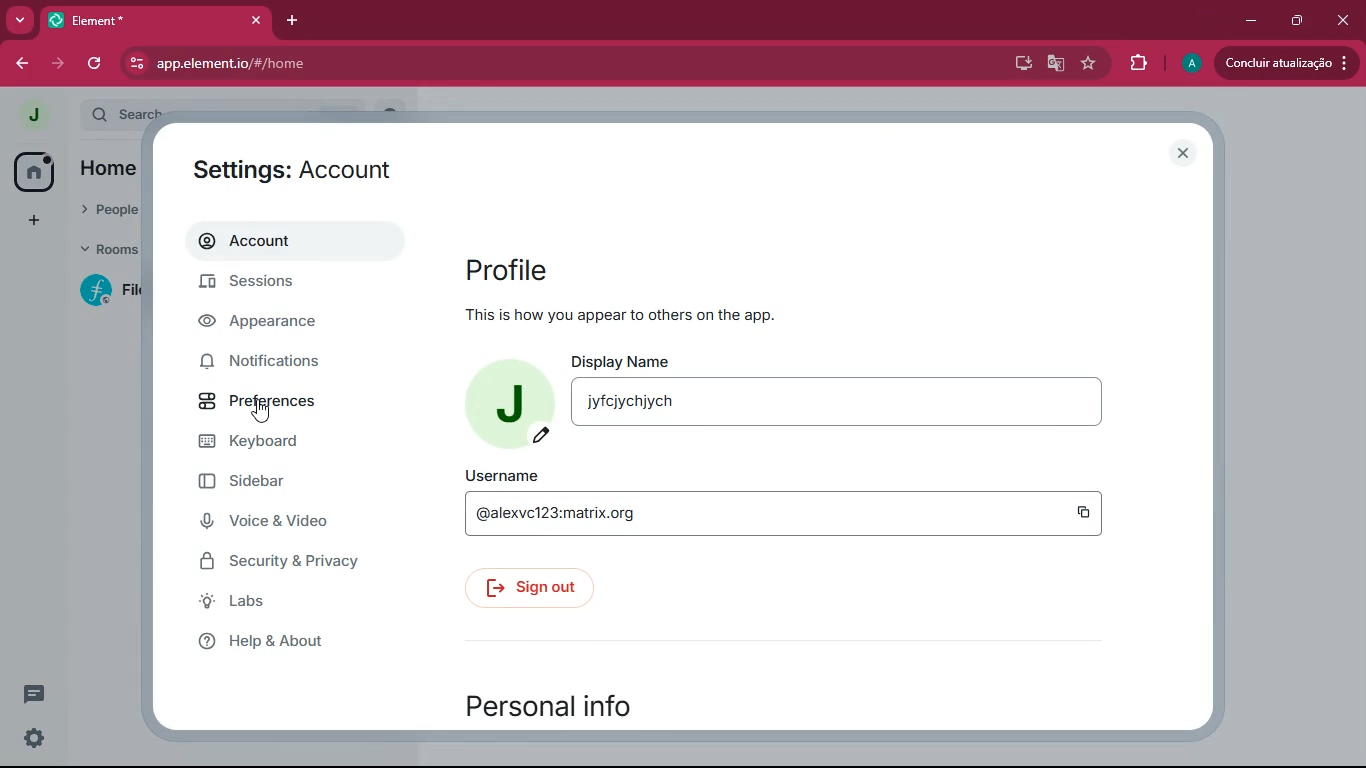 This screenshot has width=1366, height=768. What do you see at coordinates (287, 563) in the screenshot?
I see `security & Privacy` at bounding box center [287, 563].